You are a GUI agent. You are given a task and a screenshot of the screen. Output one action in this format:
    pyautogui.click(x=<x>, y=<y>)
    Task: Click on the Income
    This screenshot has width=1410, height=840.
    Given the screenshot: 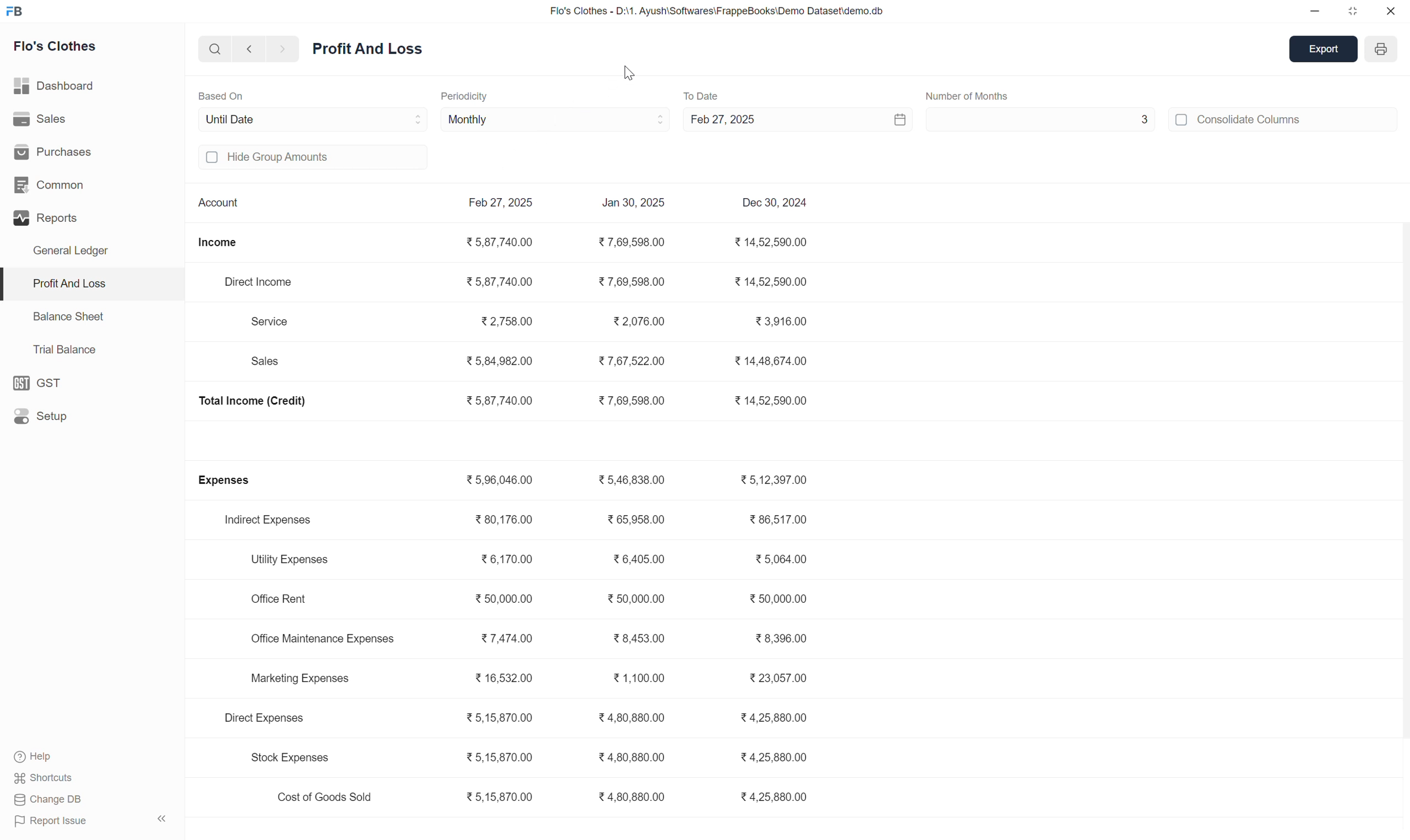 What is the action you would take?
    pyautogui.click(x=223, y=247)
    